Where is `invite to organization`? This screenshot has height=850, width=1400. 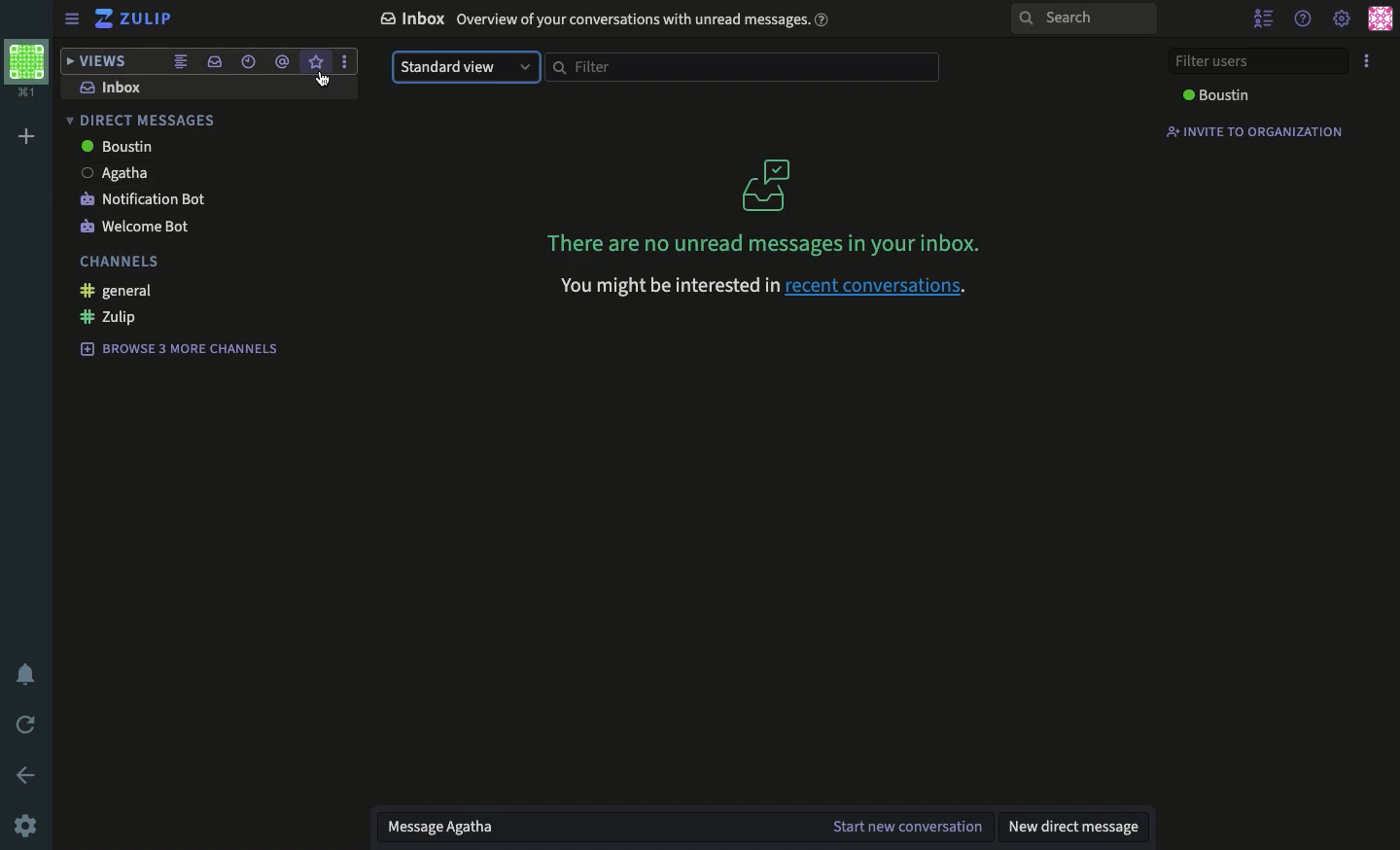 invite to organization is located at coordinates (1254, 132).